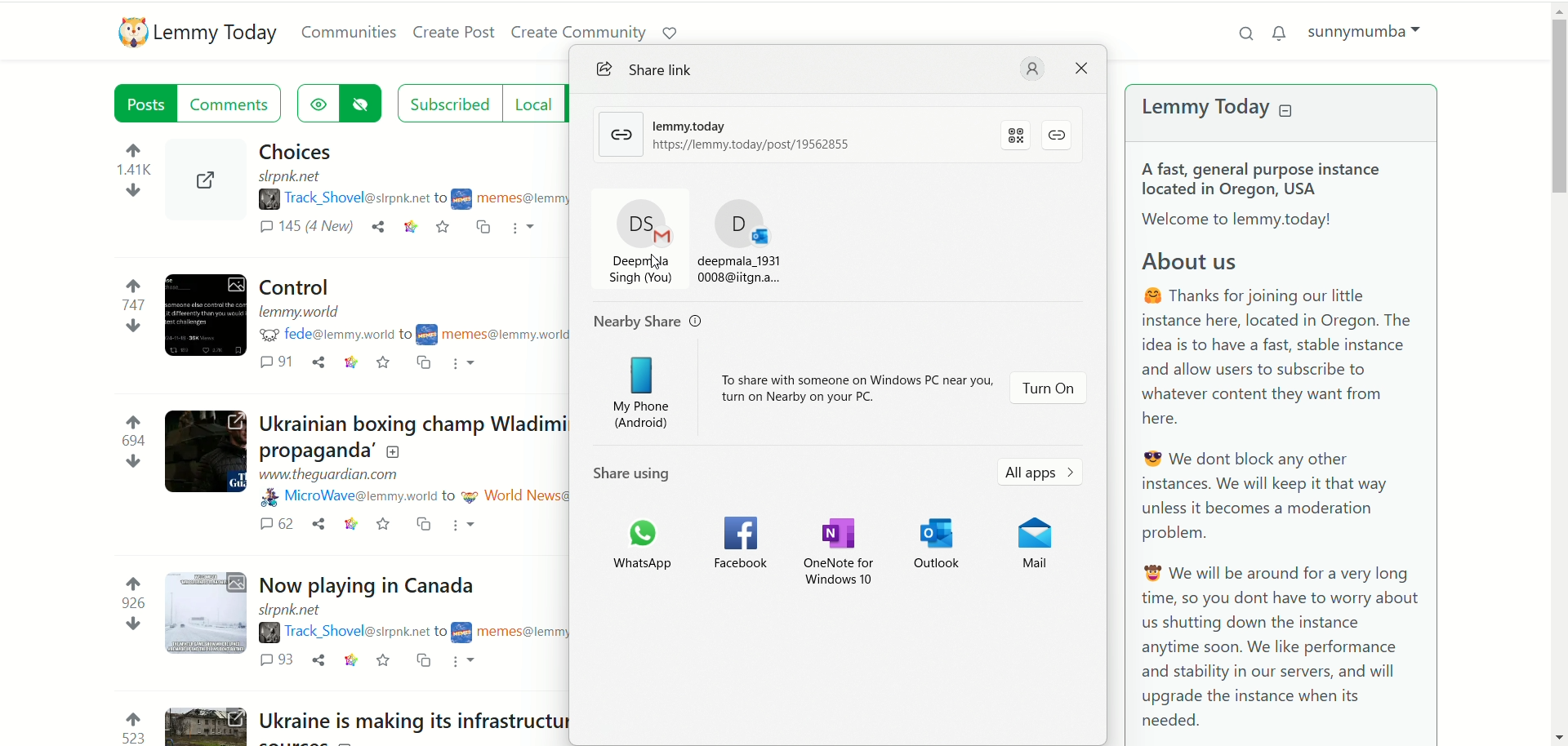 This screenshot has height=746, width=1568. What do you see at coordinates (847, 388) in the screenshot?
I see `To share with someone on Windows PC near you,
: turn on Nearby on your PC.` at bounding box center [847, 388].